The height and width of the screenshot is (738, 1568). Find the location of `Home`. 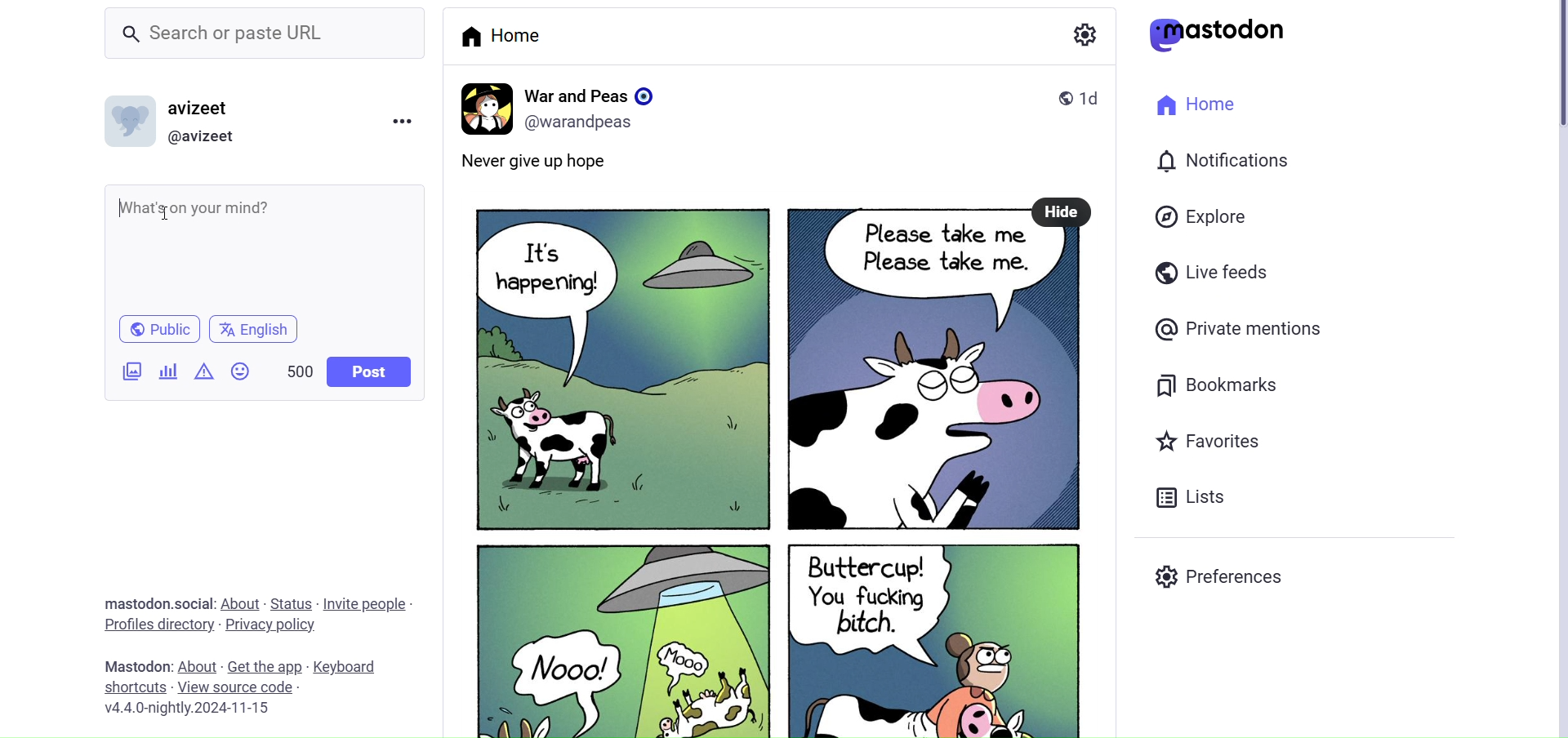

Home is located at coordinates (503, 35).